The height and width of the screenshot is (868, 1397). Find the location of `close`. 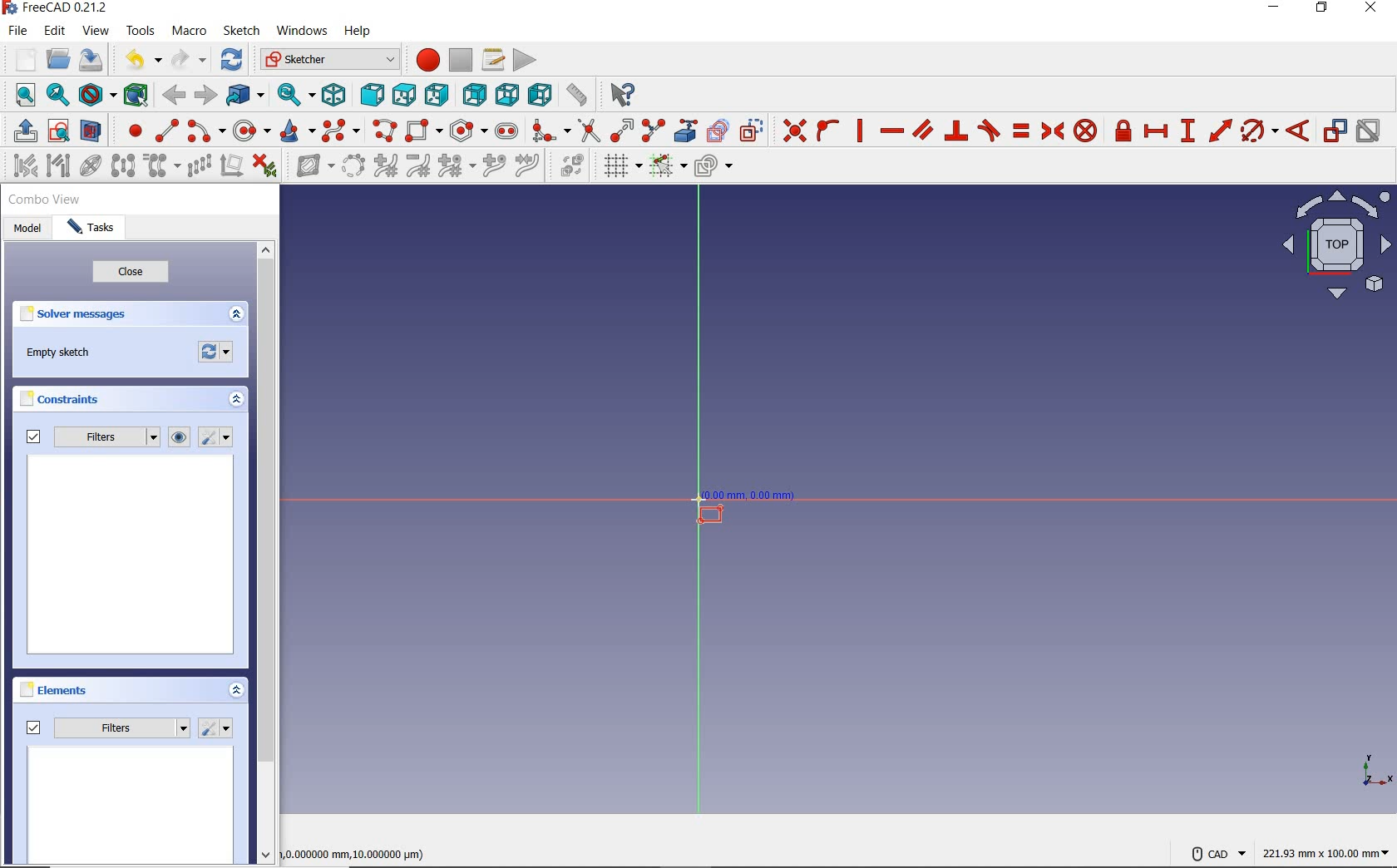

close is located at coordinates (131, 274).